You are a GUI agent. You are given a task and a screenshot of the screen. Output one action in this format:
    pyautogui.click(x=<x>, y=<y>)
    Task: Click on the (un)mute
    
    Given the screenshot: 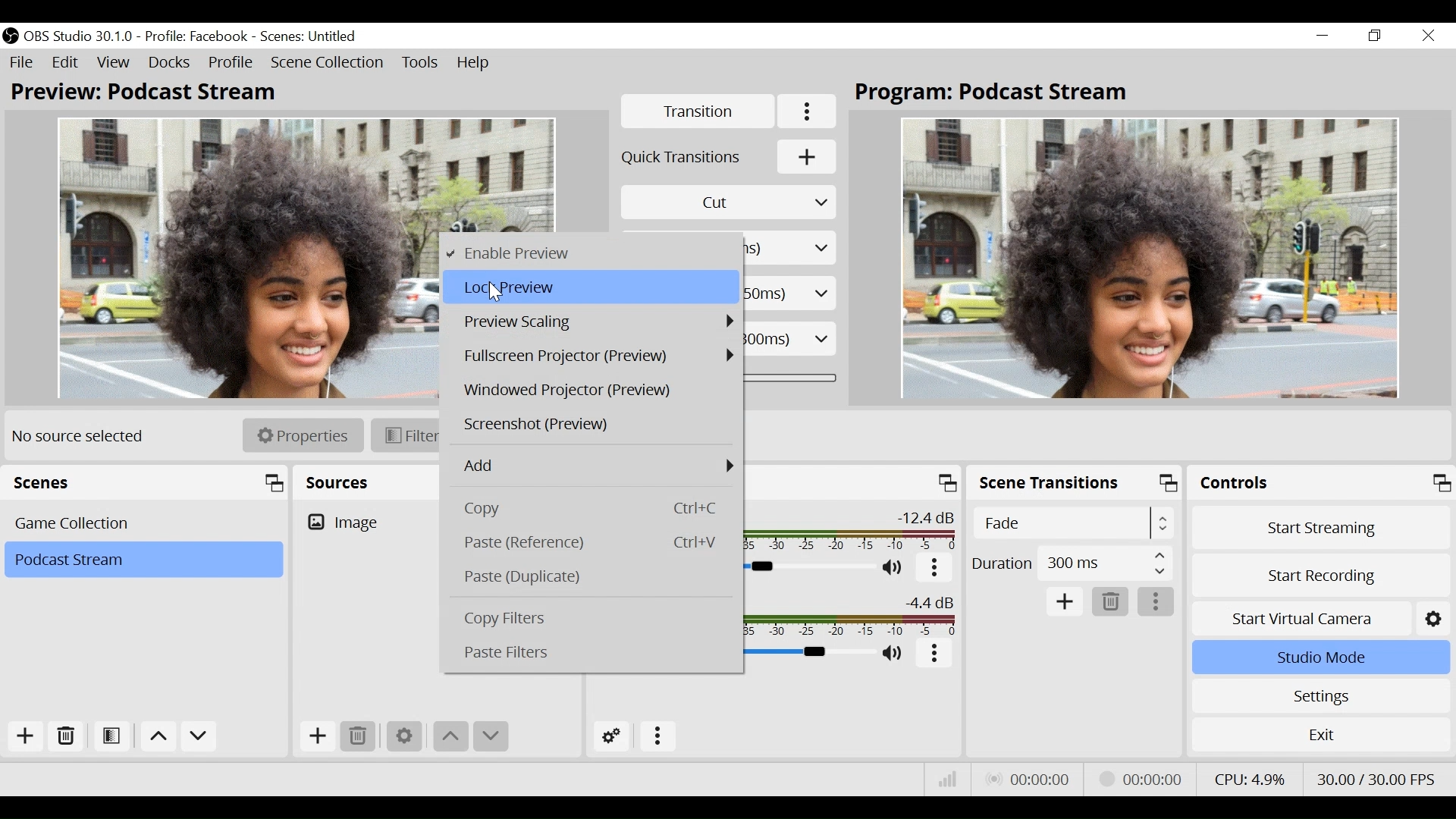 What is the action you would take?
    pyautogui.click(x=894, y=569)
    